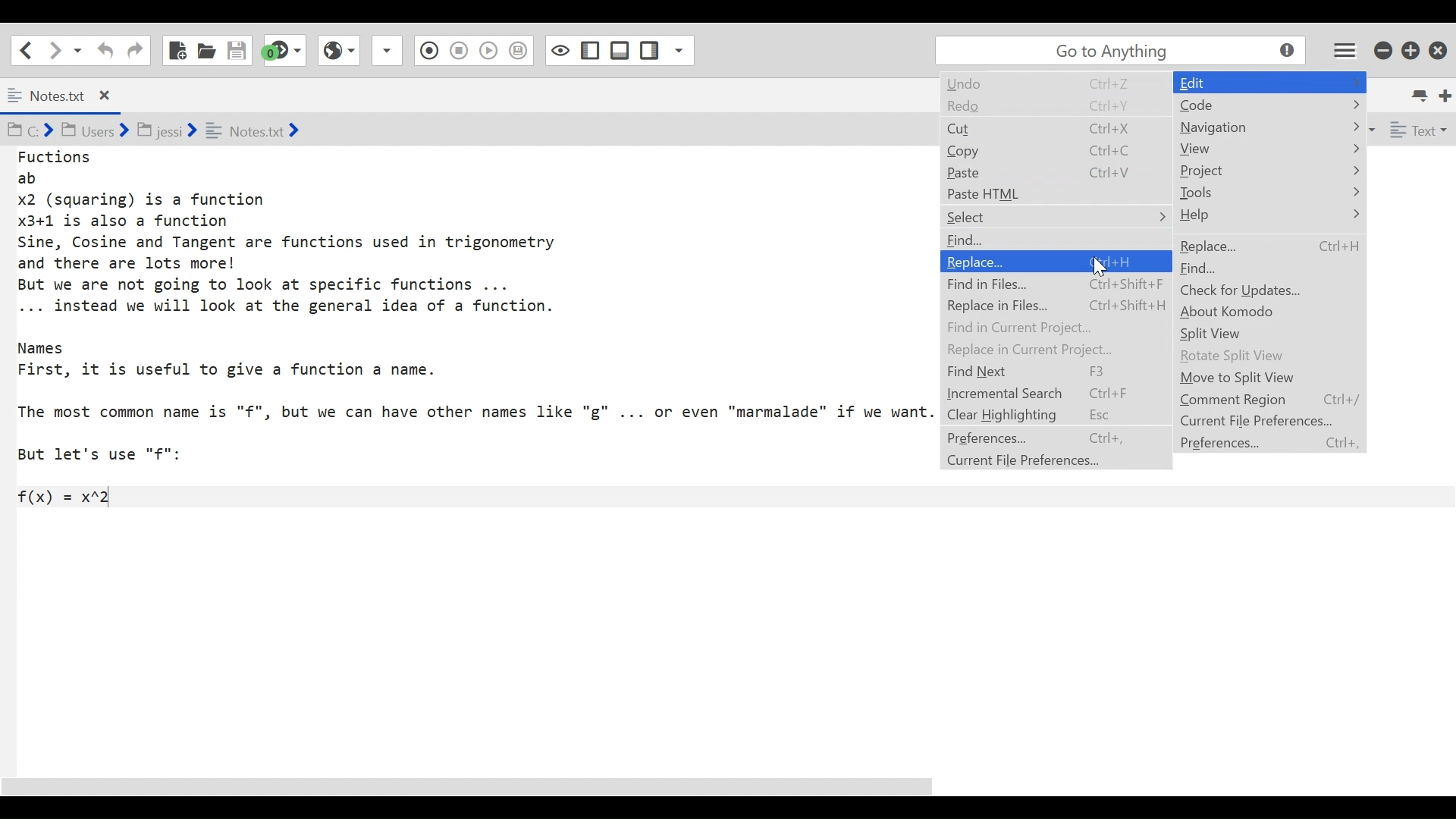 The height and width of the screenshot is (819, 1456). What do you see at coordinates (206, 50) in the screenshot?
I see `Open File` at bounding box center [206, 50].